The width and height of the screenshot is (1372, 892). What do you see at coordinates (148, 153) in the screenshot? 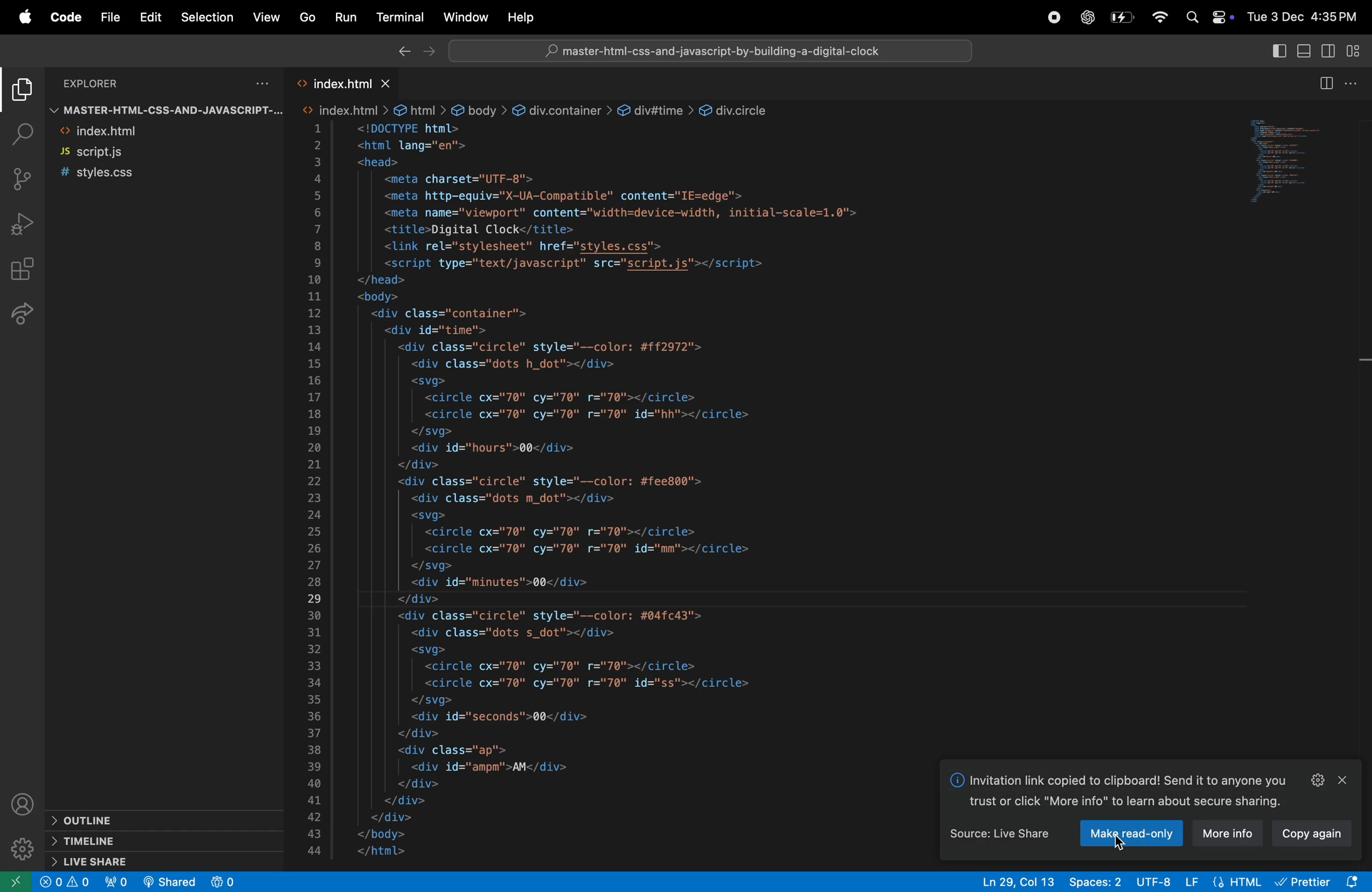
I see `script.js` at bounding box center [148, 153].